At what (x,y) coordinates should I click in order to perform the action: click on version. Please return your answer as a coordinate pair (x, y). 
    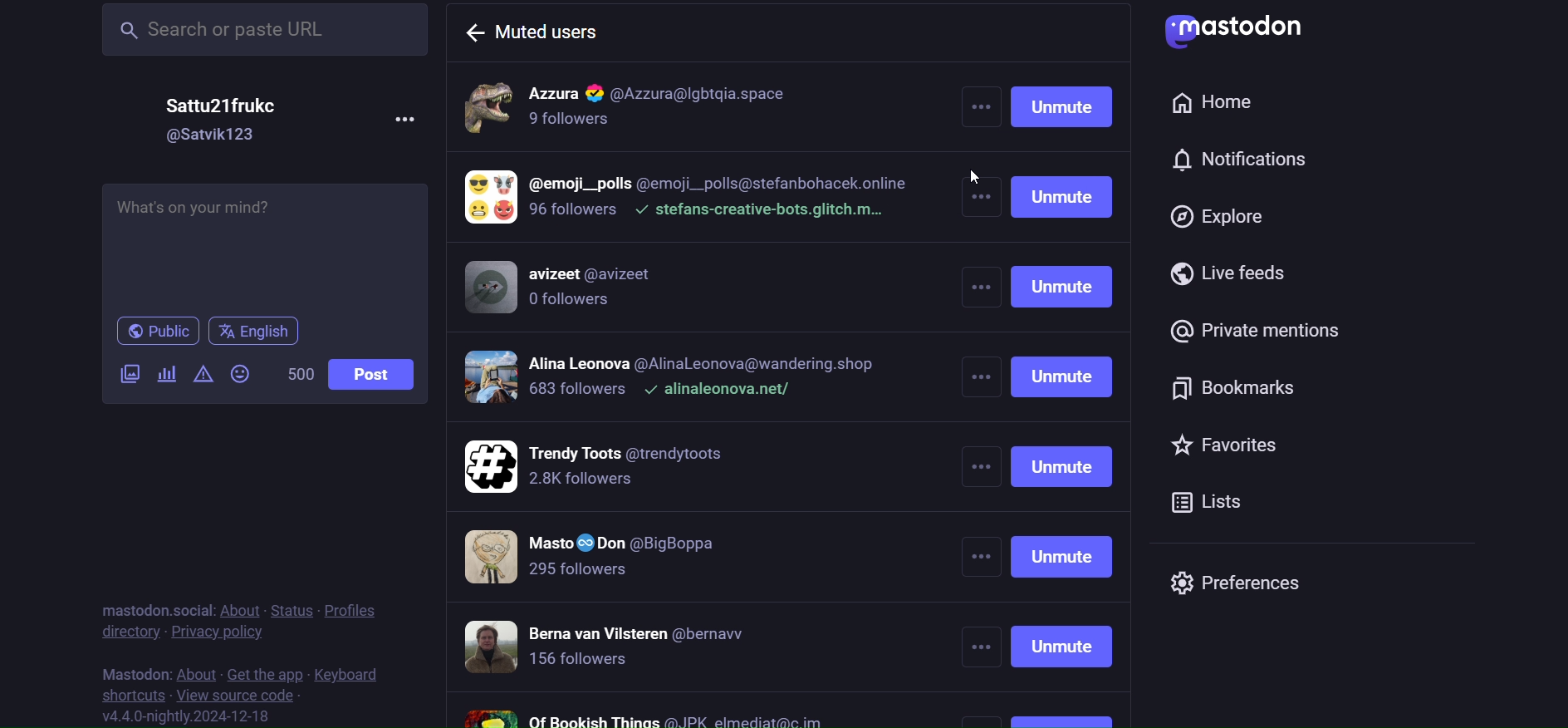
    Looking at the image, I should click on (187, 715).